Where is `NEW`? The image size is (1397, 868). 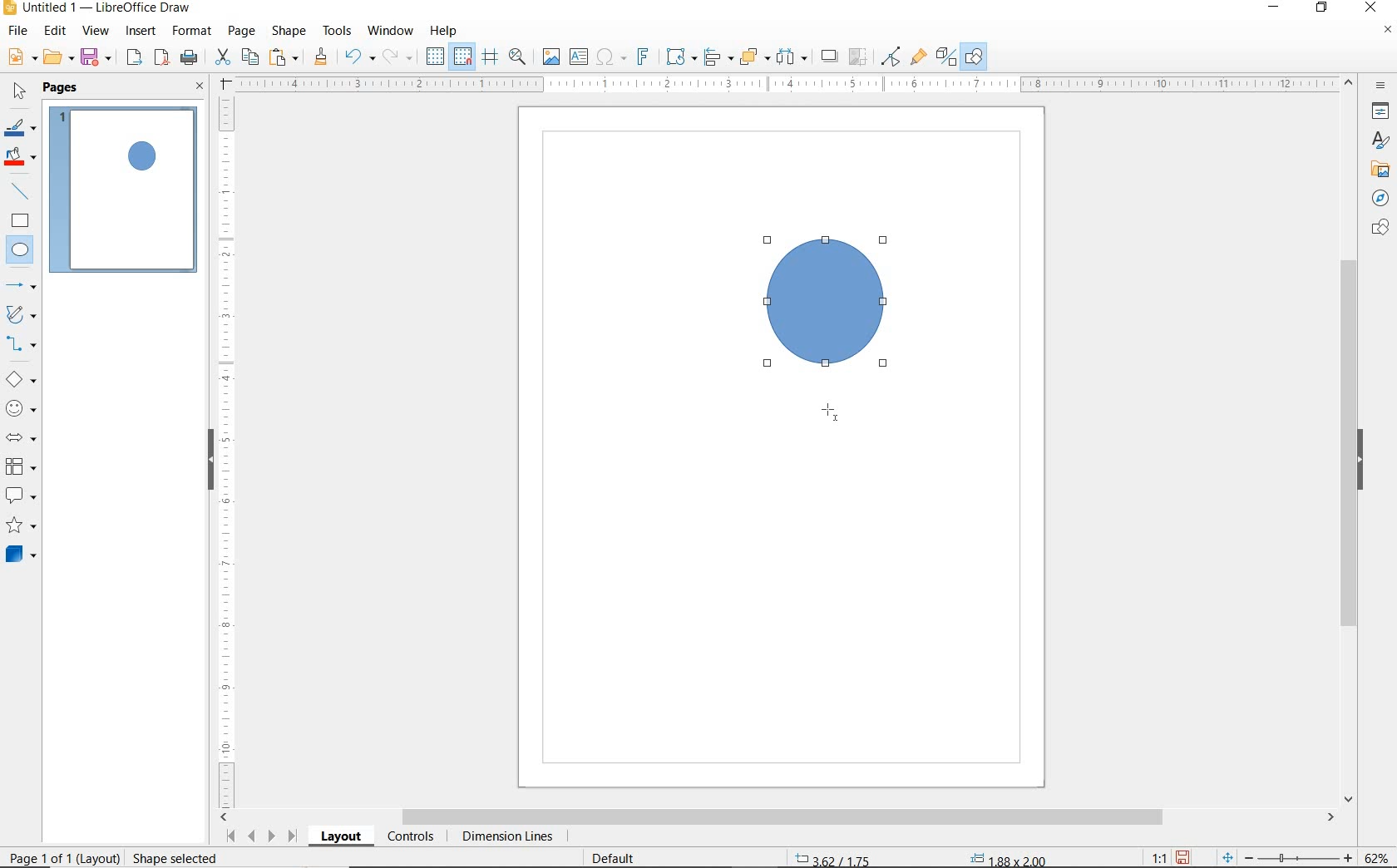 NEW is located at coordinates (20, 57).